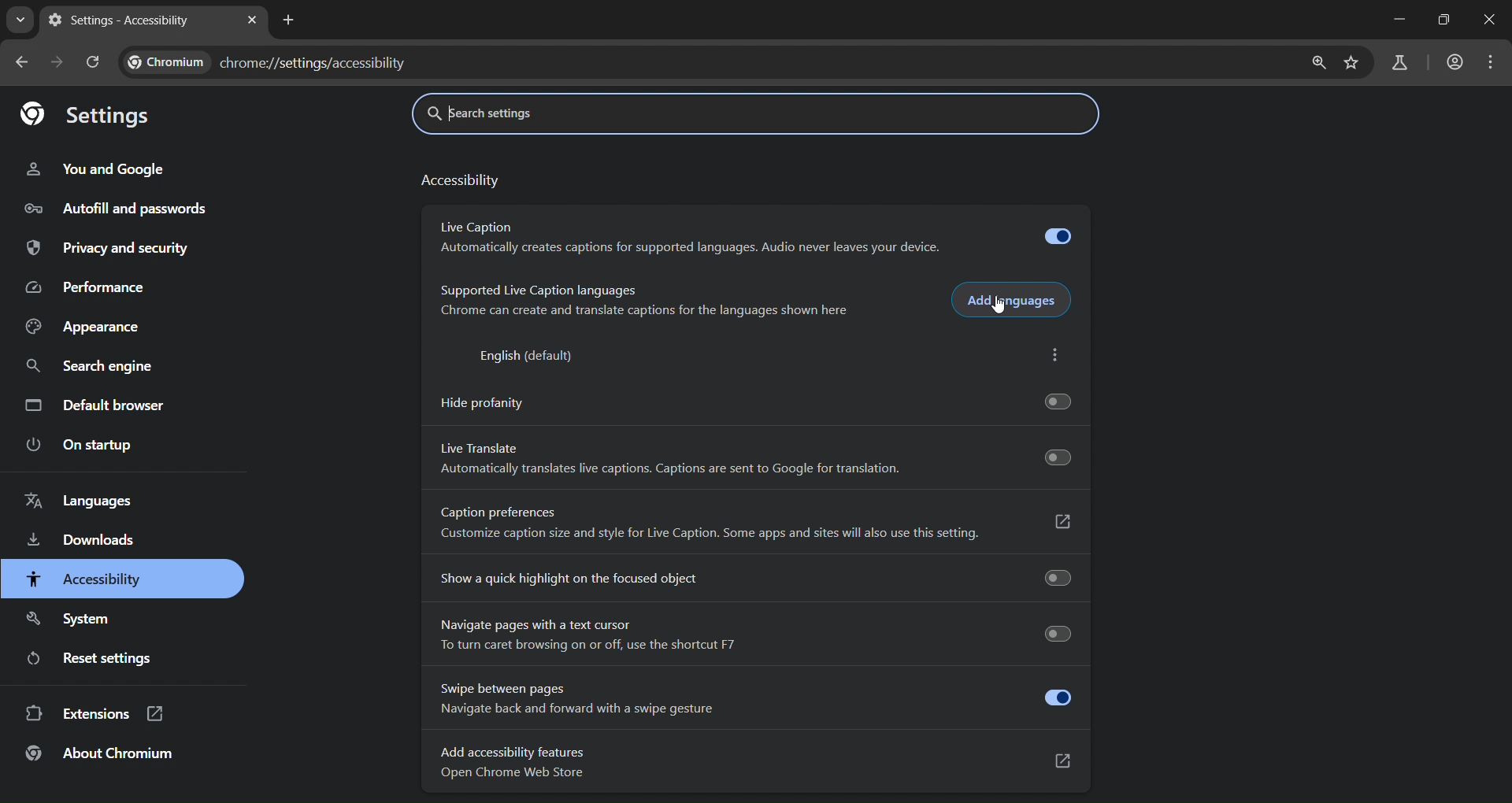  I want to click on new tab, so click(291, 21).